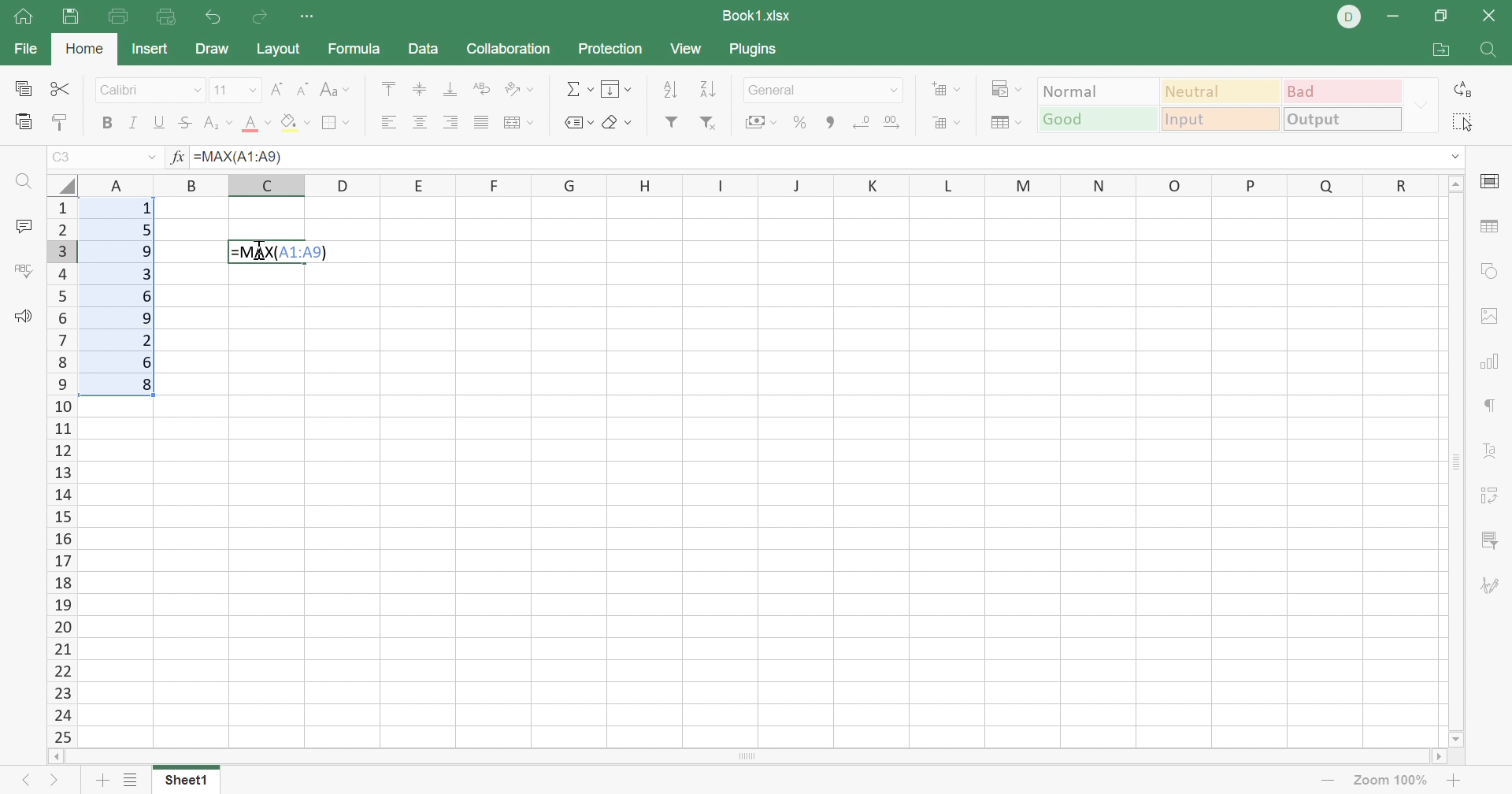  What do you see at coordinates (759, 15) in the screenshot?
I see `Book1.xlsx` at bounding box center [759, 15].